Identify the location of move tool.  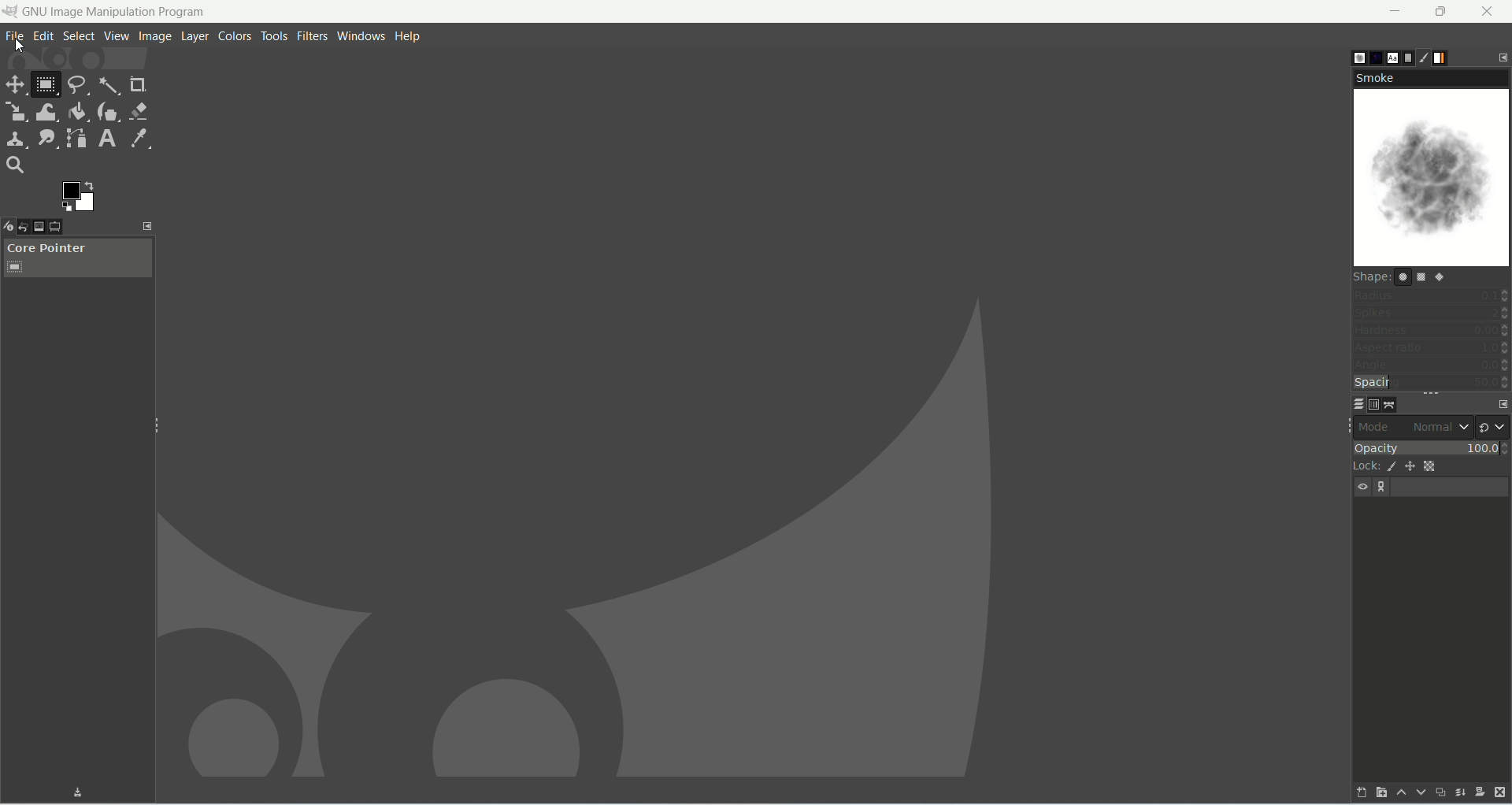
(15, 83).